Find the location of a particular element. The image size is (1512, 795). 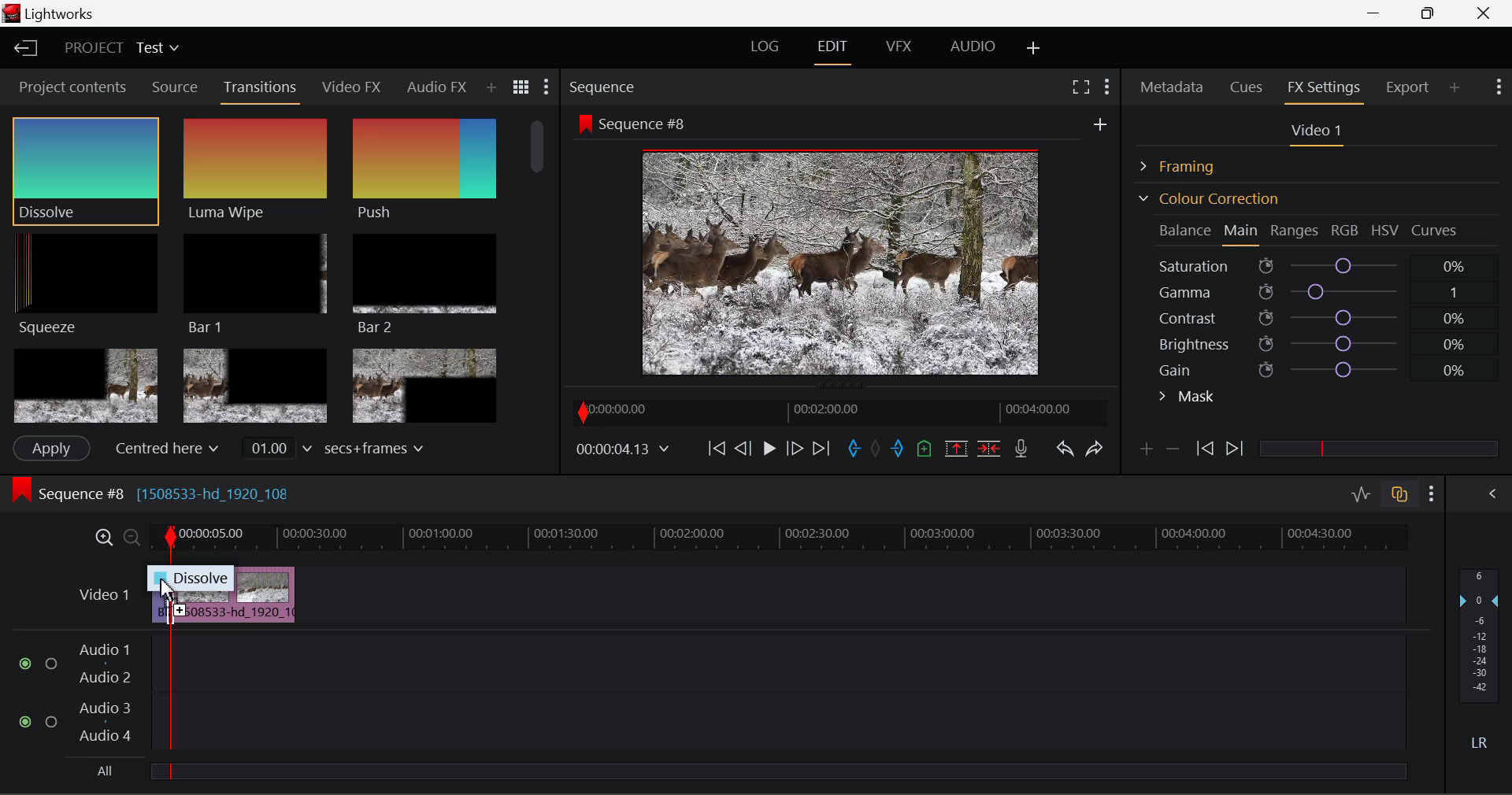

Cursor is located at coordinates (169, 591).